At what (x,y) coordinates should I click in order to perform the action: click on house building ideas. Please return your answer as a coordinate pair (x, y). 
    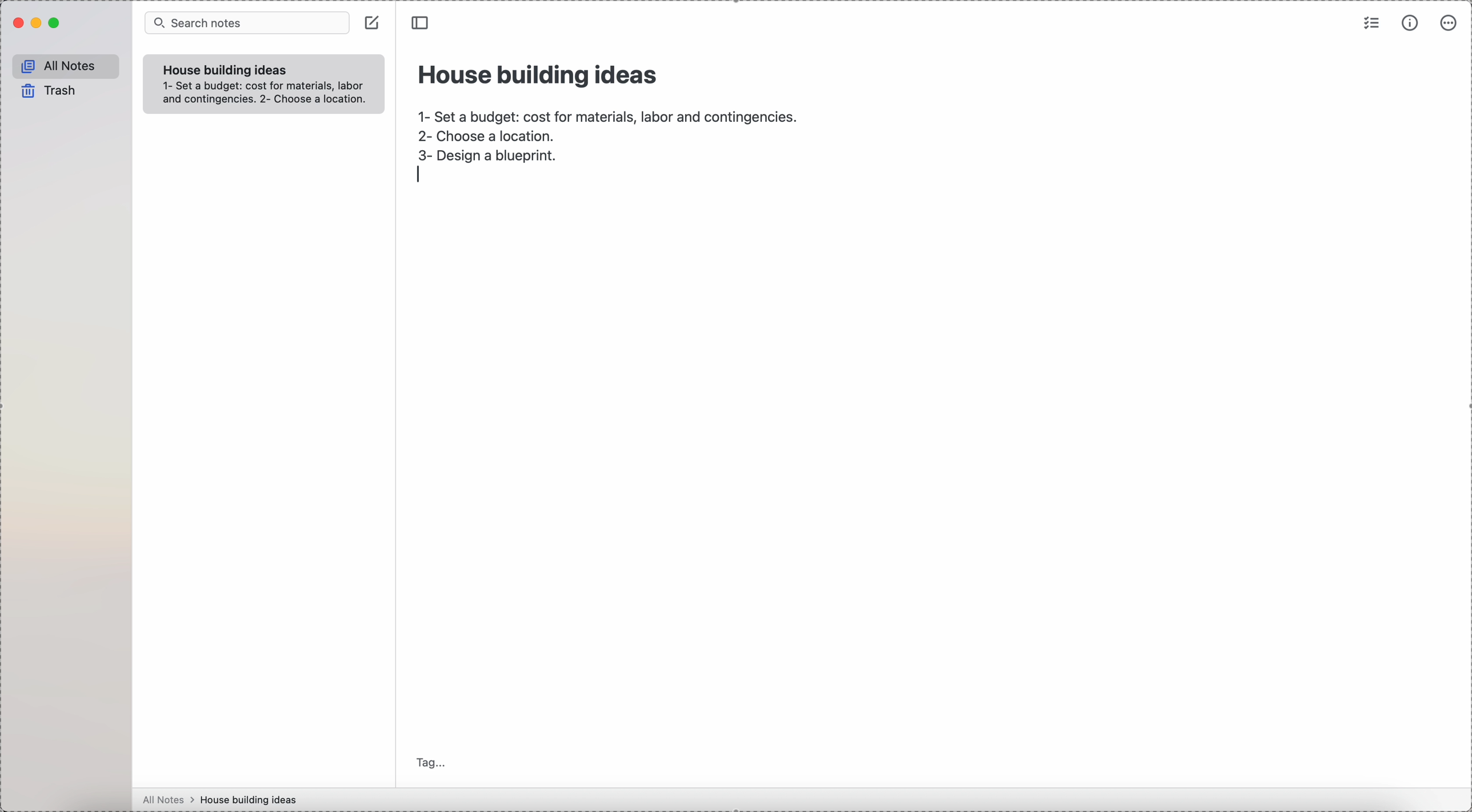
    Looking at the image, I should click on (253, 799).